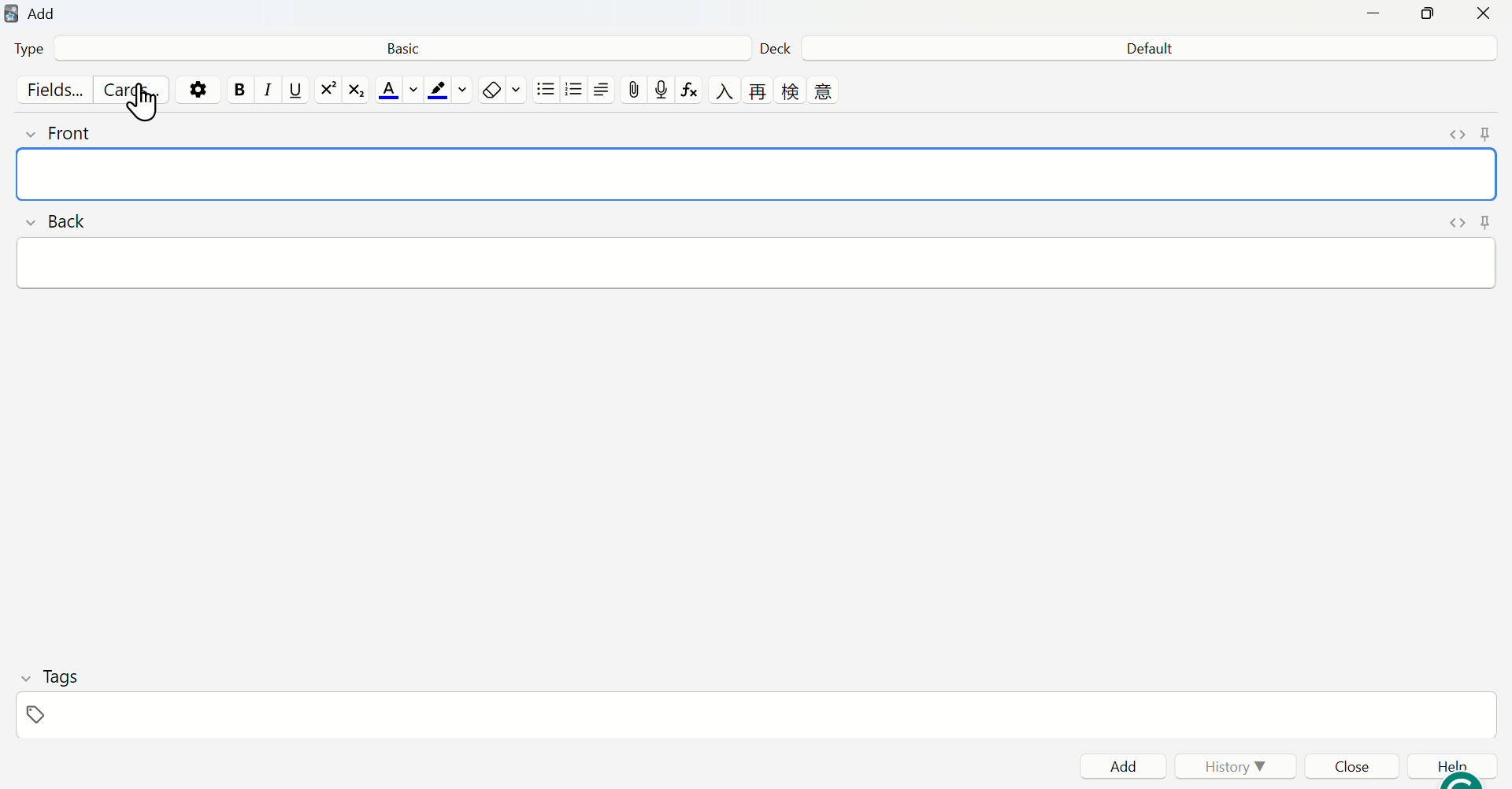  I want to click on Fields , so click(51, 87).